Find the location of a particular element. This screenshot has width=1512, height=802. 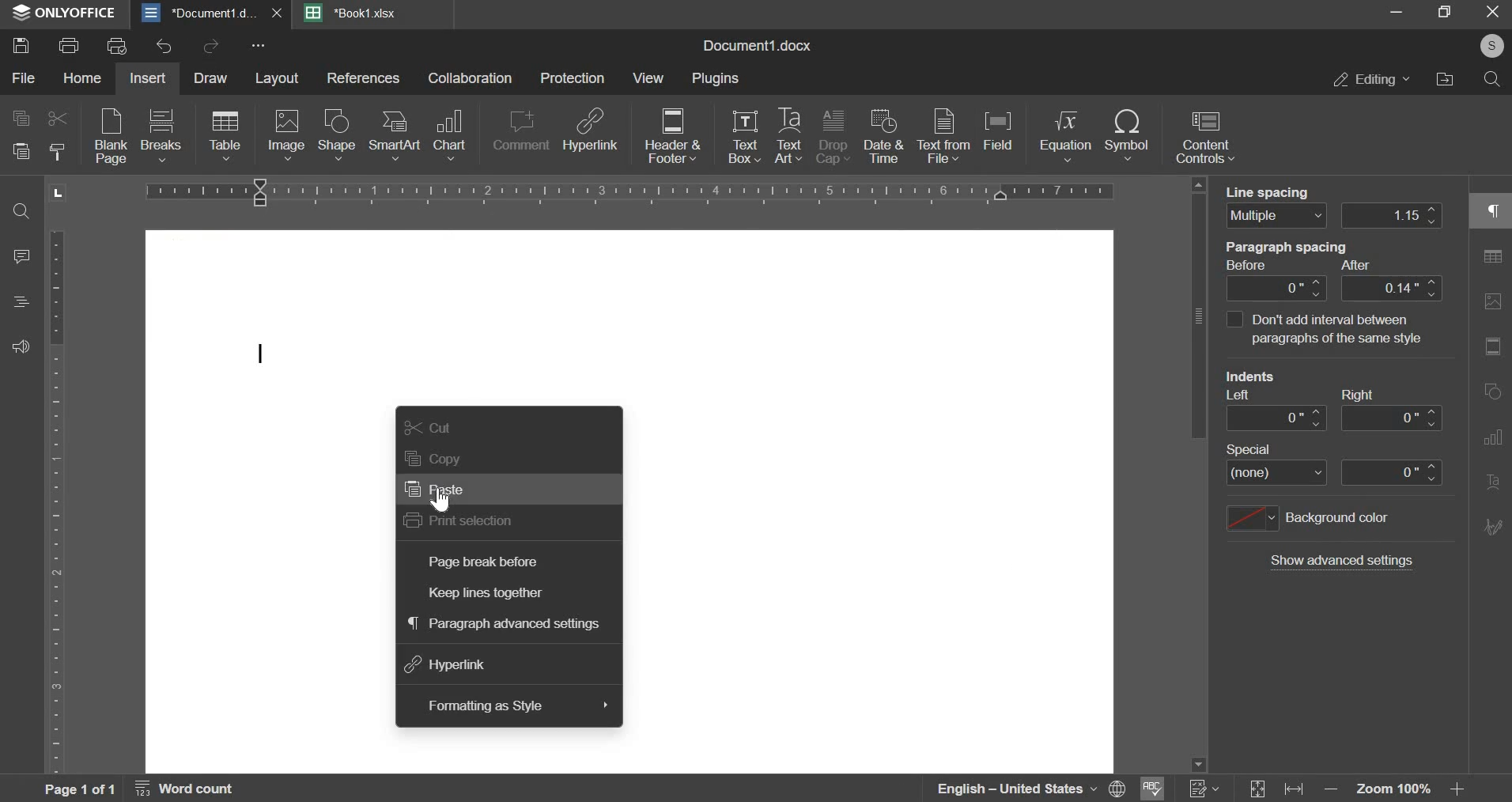

comment is located at coordinates (520, 134).